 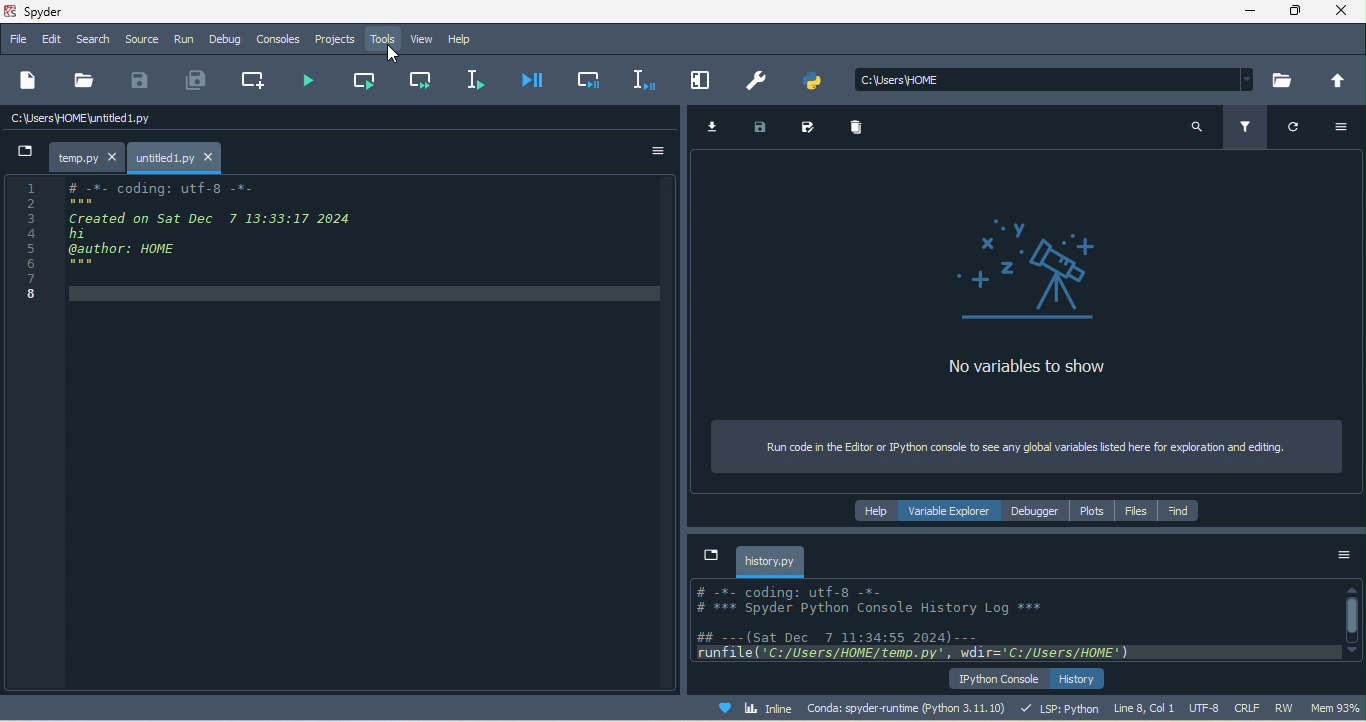 What do you see at coordinates (115, 121) in the screenshot?
I see `c\users\home\untitled1` at bounding box center [115, 121].